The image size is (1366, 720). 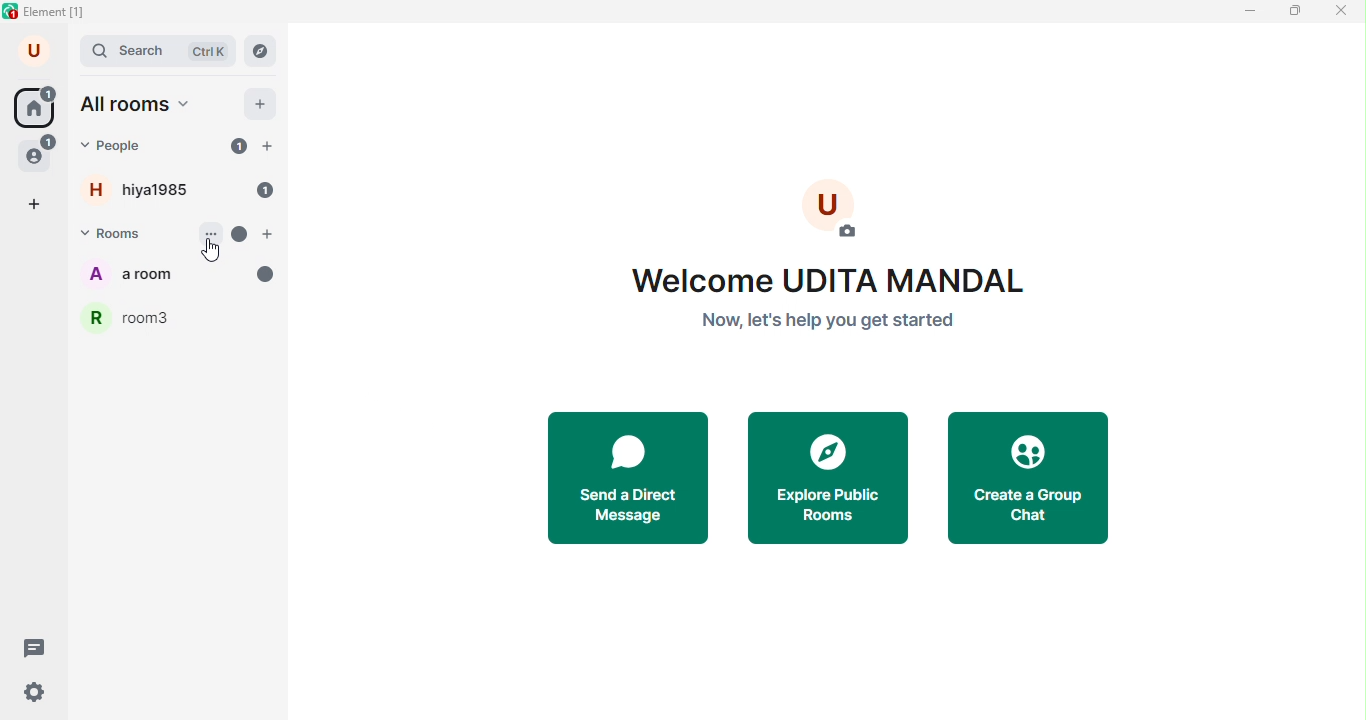 I want to click on create a group chat, so click(x=1030, y=477).